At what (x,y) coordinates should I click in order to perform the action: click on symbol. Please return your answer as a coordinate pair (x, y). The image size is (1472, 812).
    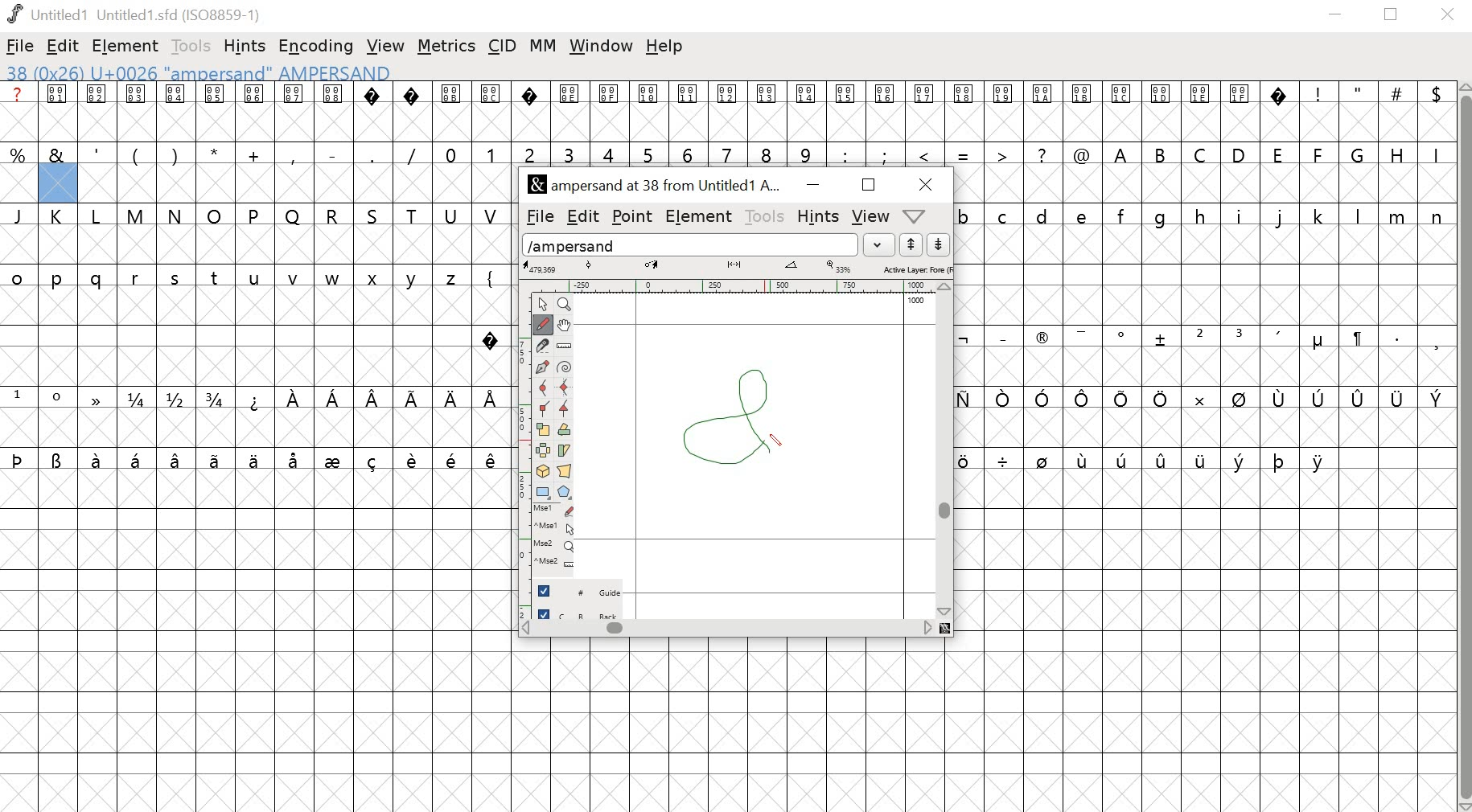
    Looking at the image, I should click on (1004, 399).